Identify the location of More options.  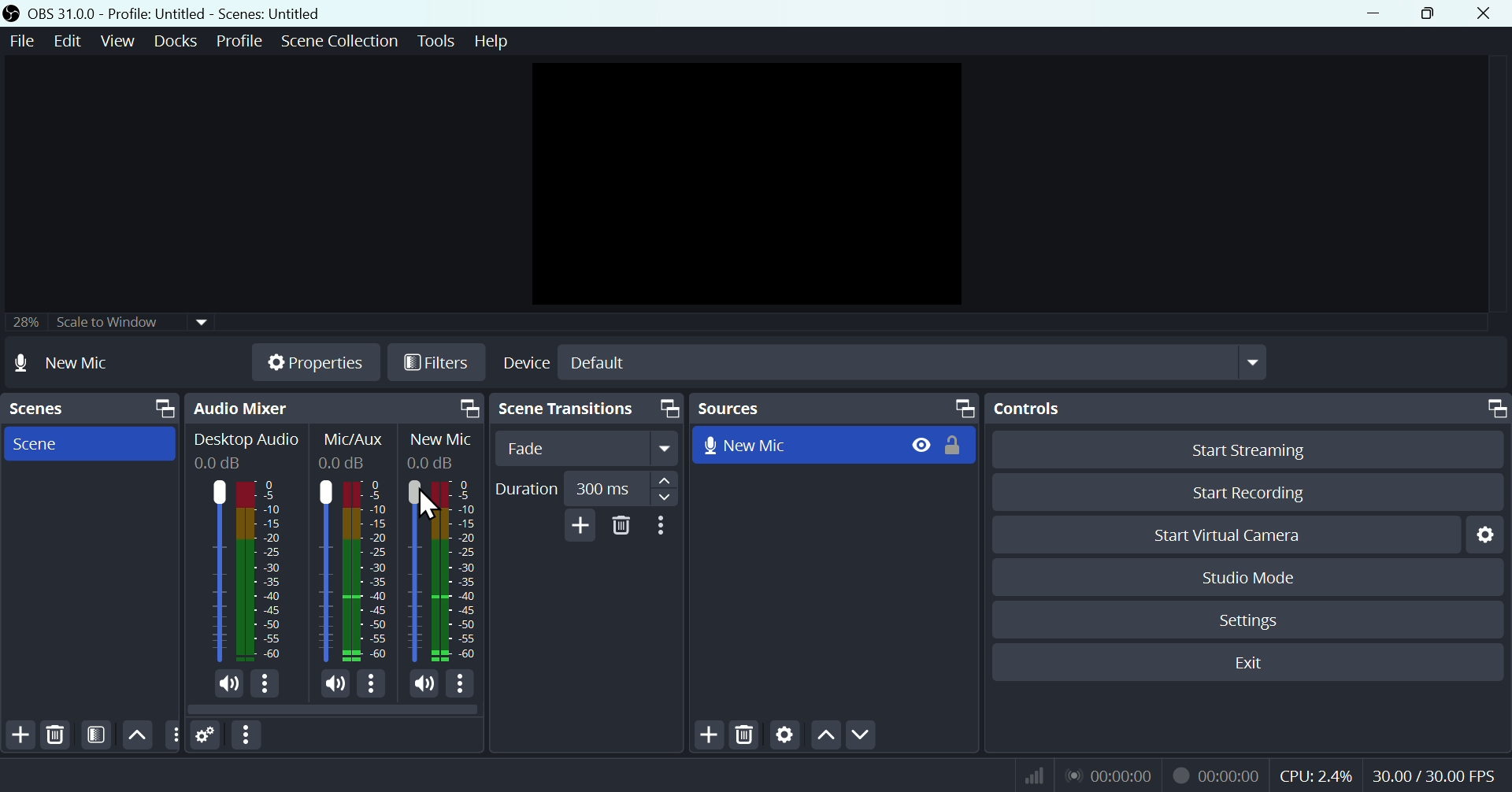
(461, 685).